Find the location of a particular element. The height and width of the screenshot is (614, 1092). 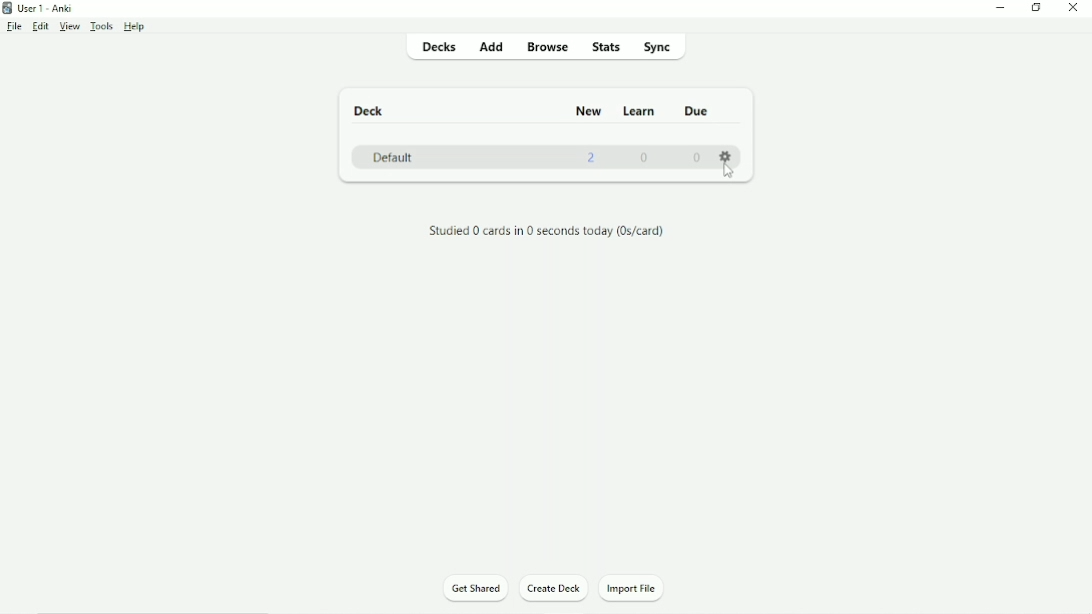

cursor is located at coordinates (726, 174).